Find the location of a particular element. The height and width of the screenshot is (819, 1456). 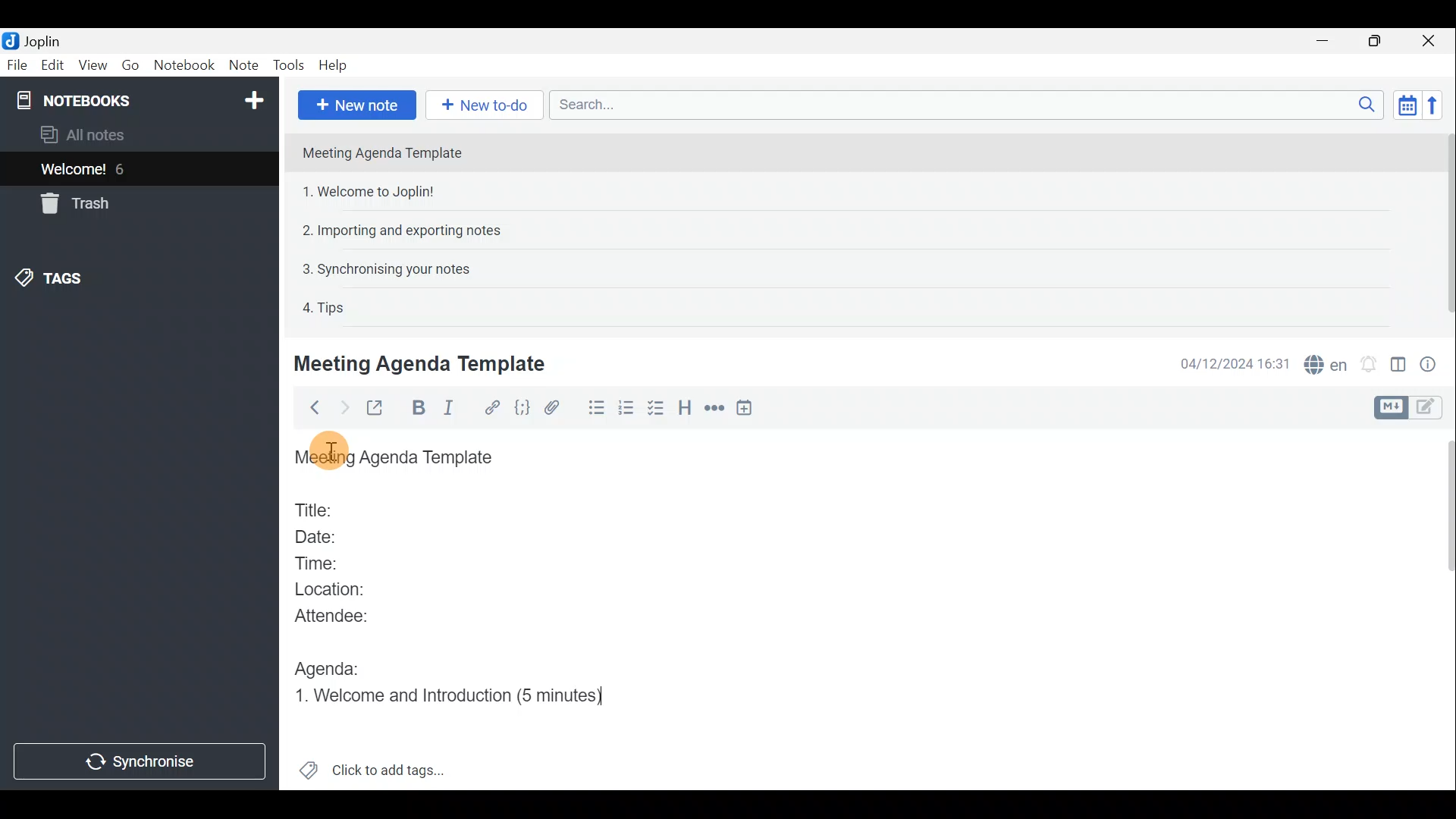

Location: is located at coordinates (335, 590).